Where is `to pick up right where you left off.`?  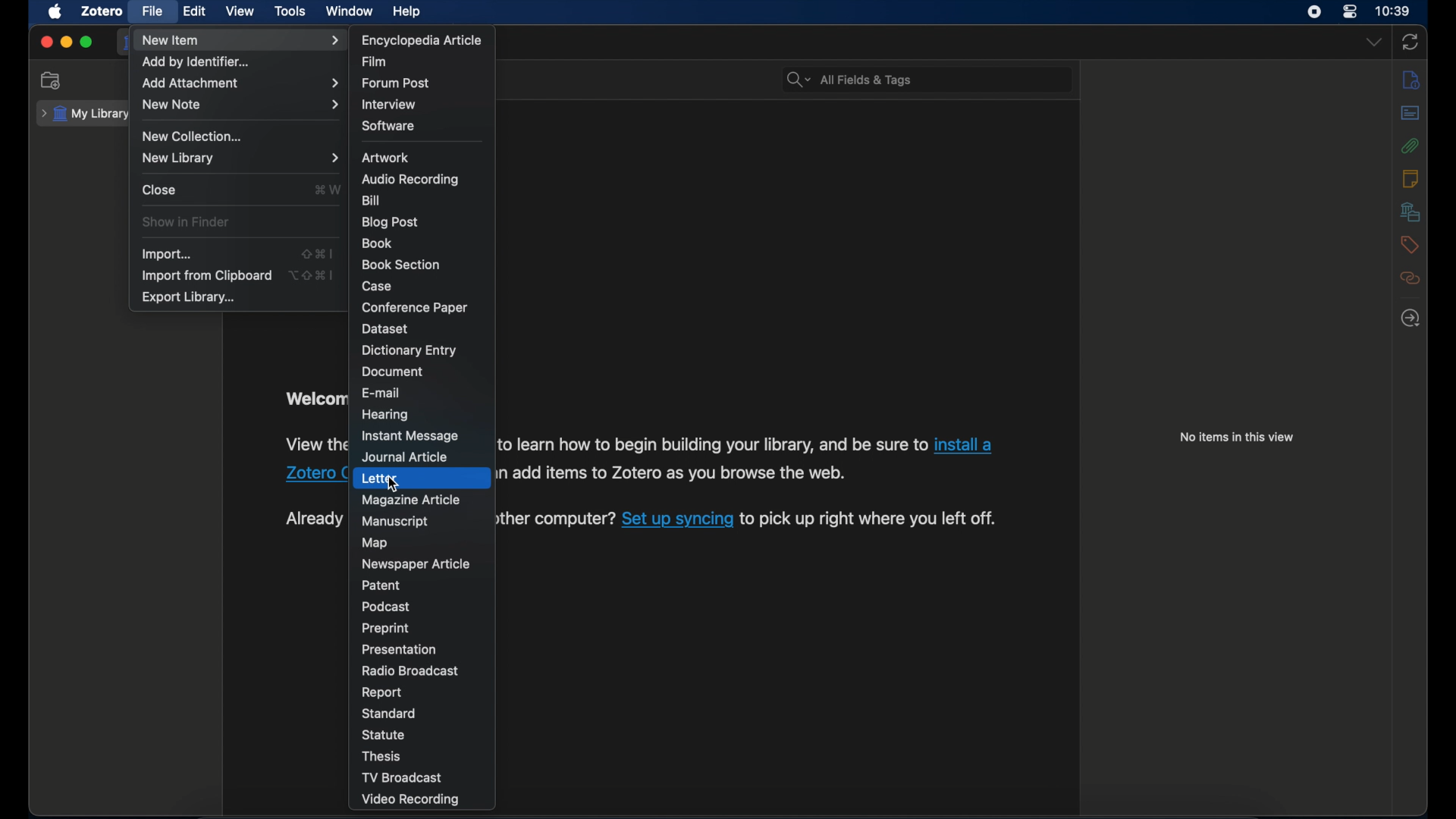
to pick up right where you left off. is located at coordinates (871, 518).